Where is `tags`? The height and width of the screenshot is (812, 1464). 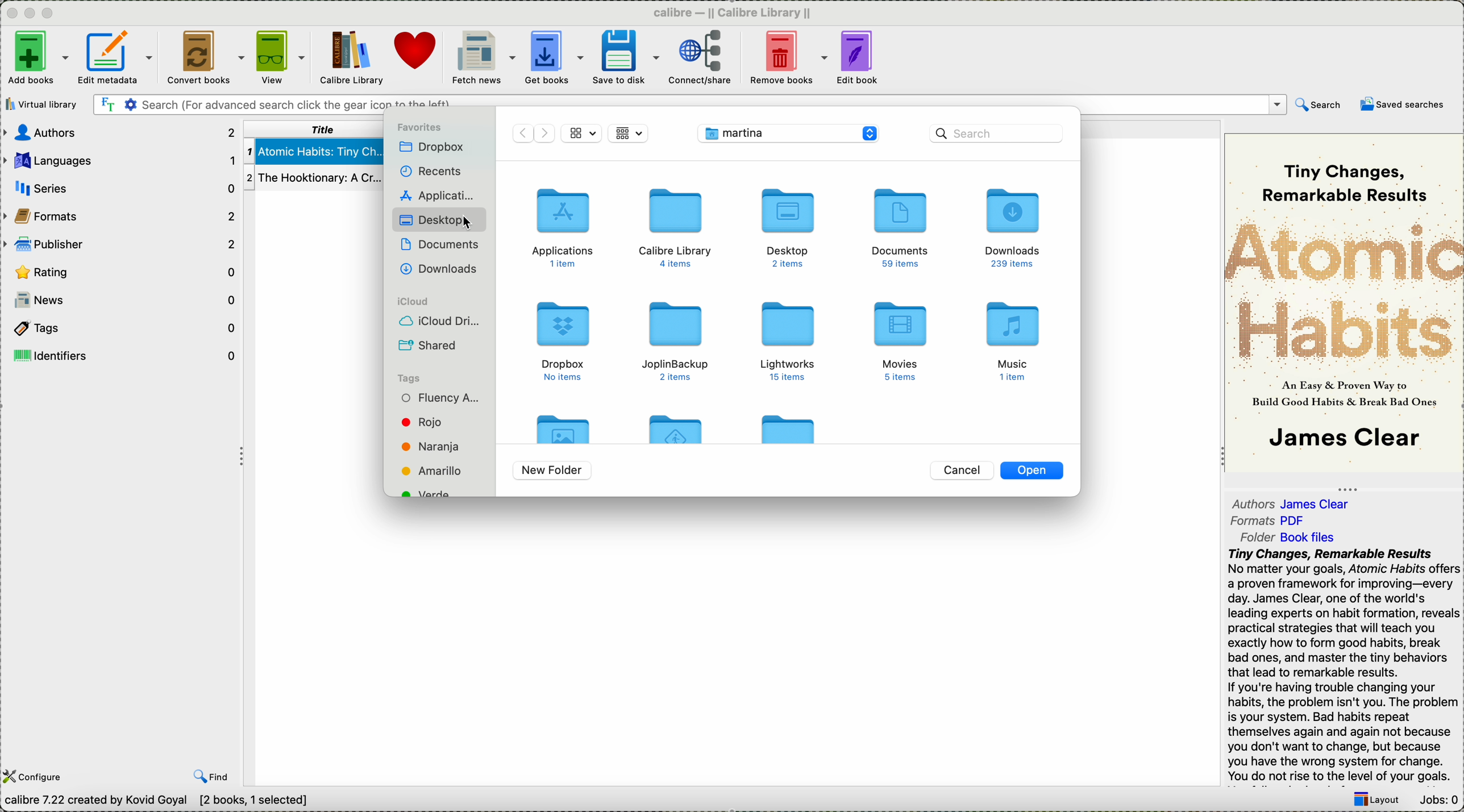 tags is located at coordinates (120, 327).